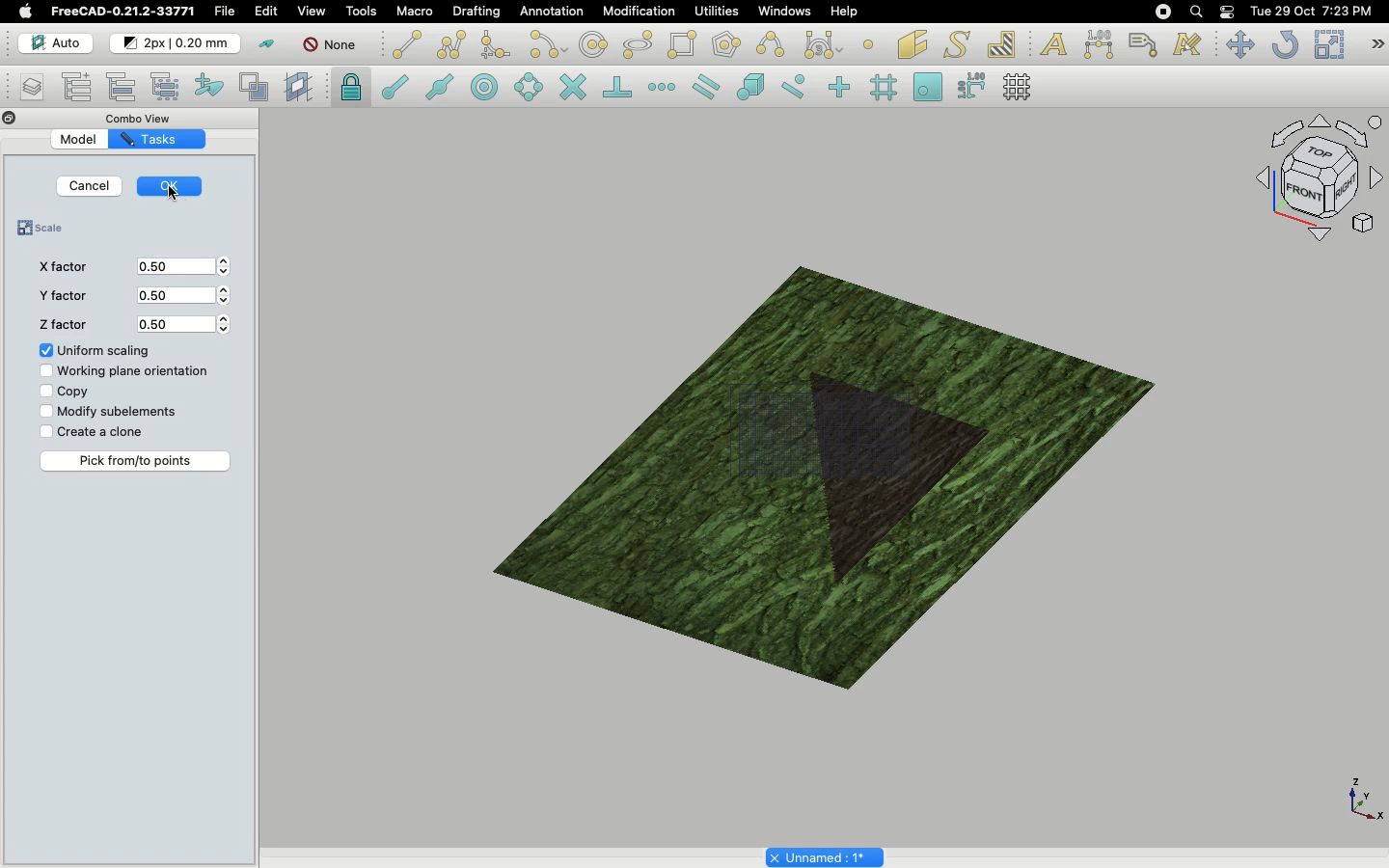  Describe the element at coordinates (572, 85) in the screenshot. I see `Snap intersection` at that location.